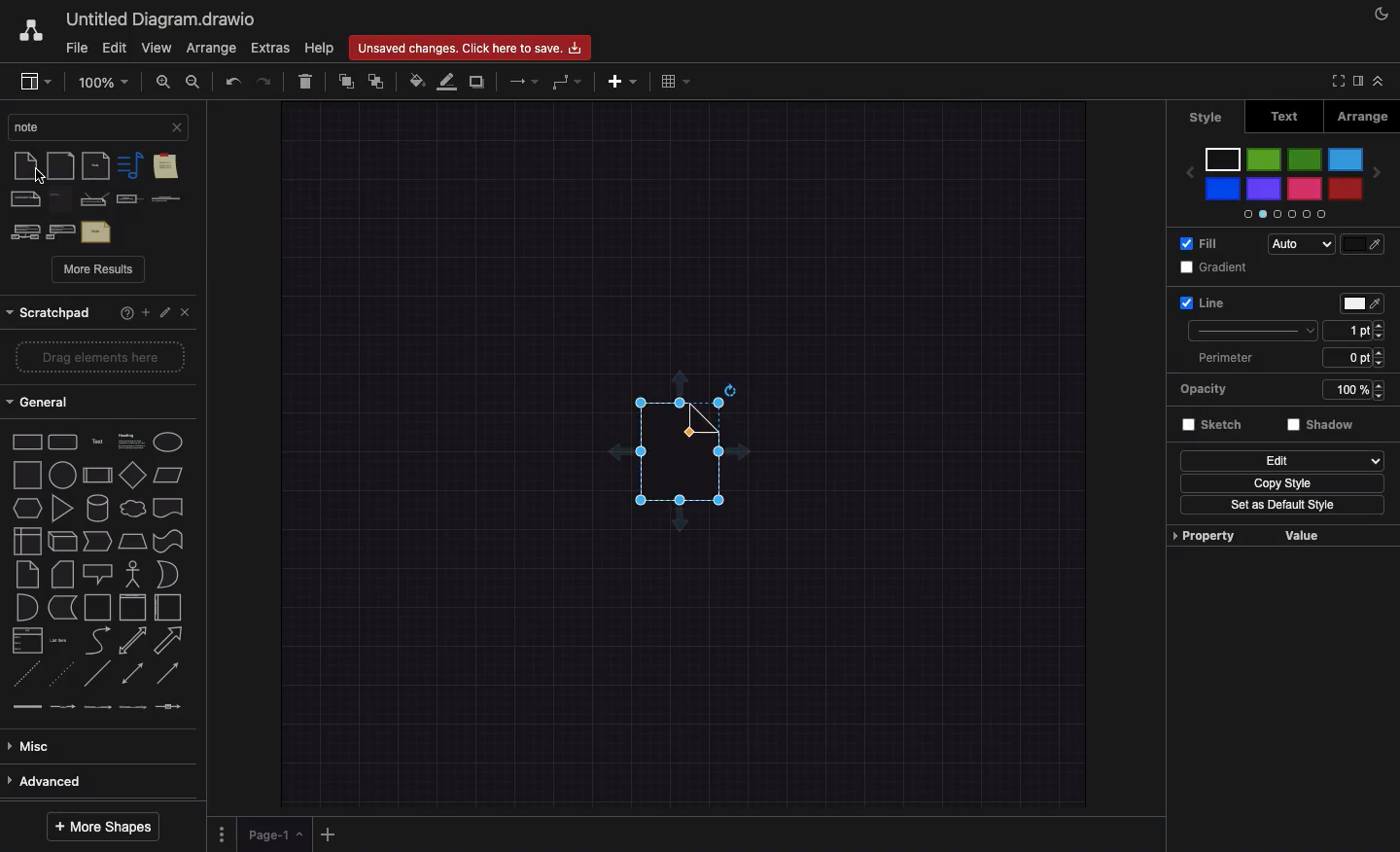  Describe the element at coordinates (1224, 190) in the screenshot. I see `navy blue` at that location.